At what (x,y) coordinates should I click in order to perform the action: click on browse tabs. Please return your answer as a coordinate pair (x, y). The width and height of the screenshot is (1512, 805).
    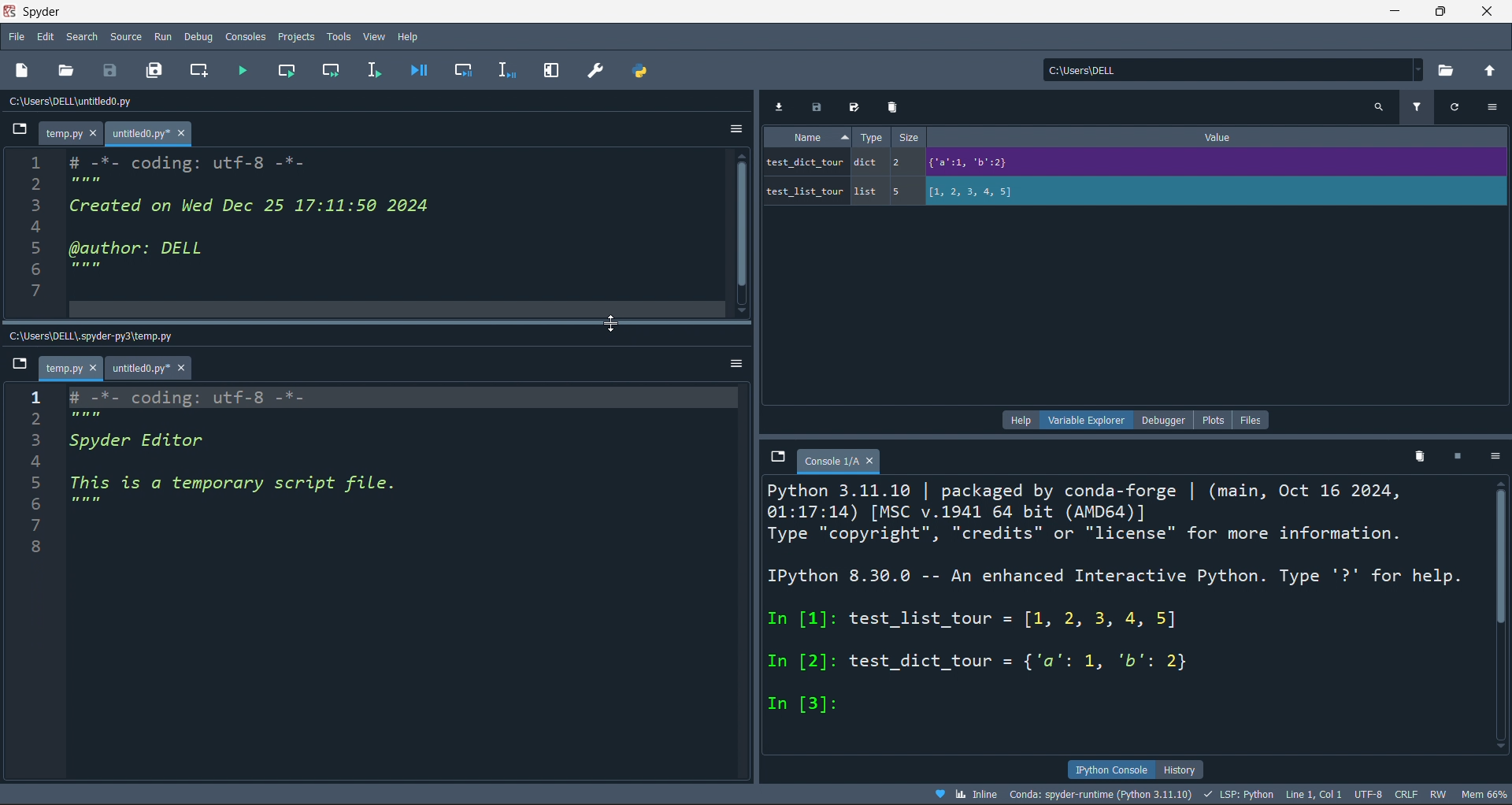
    Looking at the image, I should click on (778, 458).